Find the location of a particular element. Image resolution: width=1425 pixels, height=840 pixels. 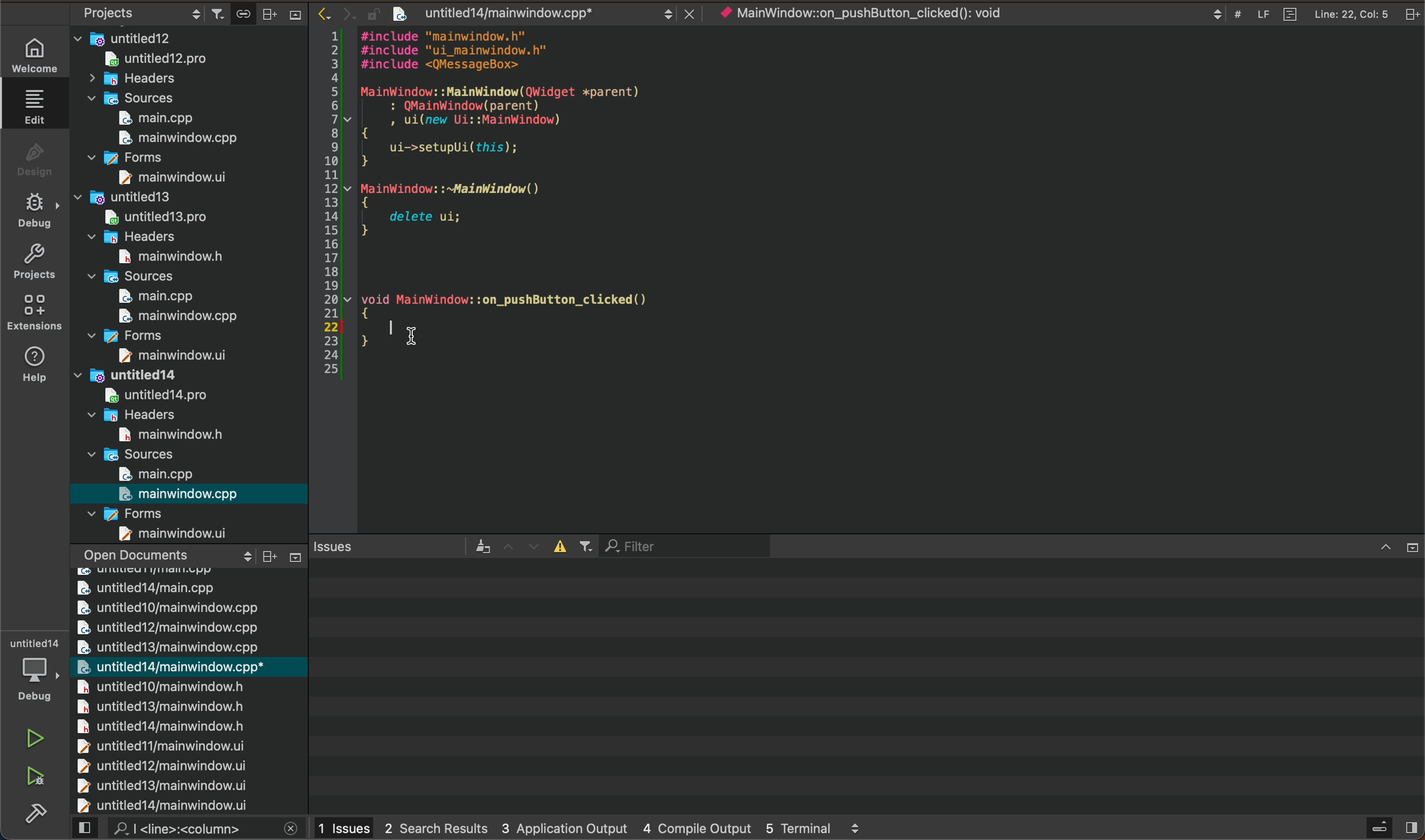

main window is located at coordinates (162, 256).